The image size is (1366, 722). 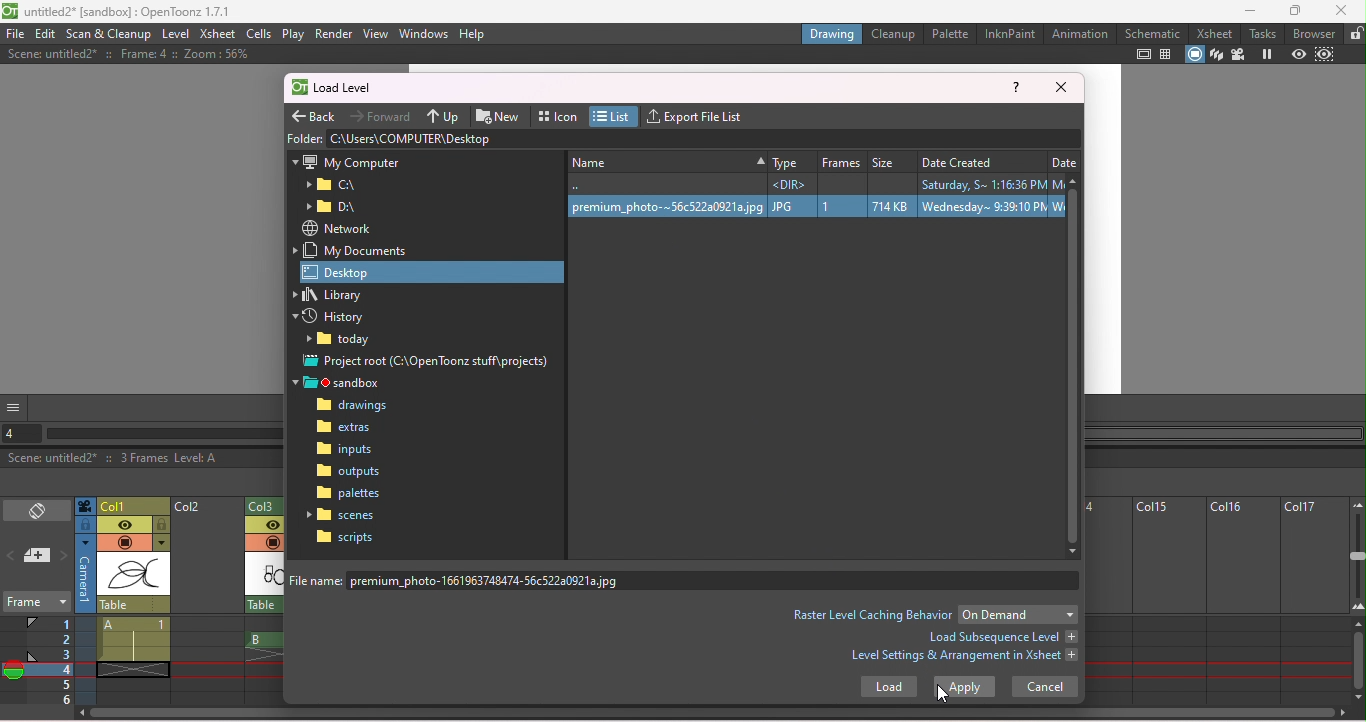 What do you see at coordinates (134, 575) in the screenshot?
I see `scene` at bounding box center [134, 575].